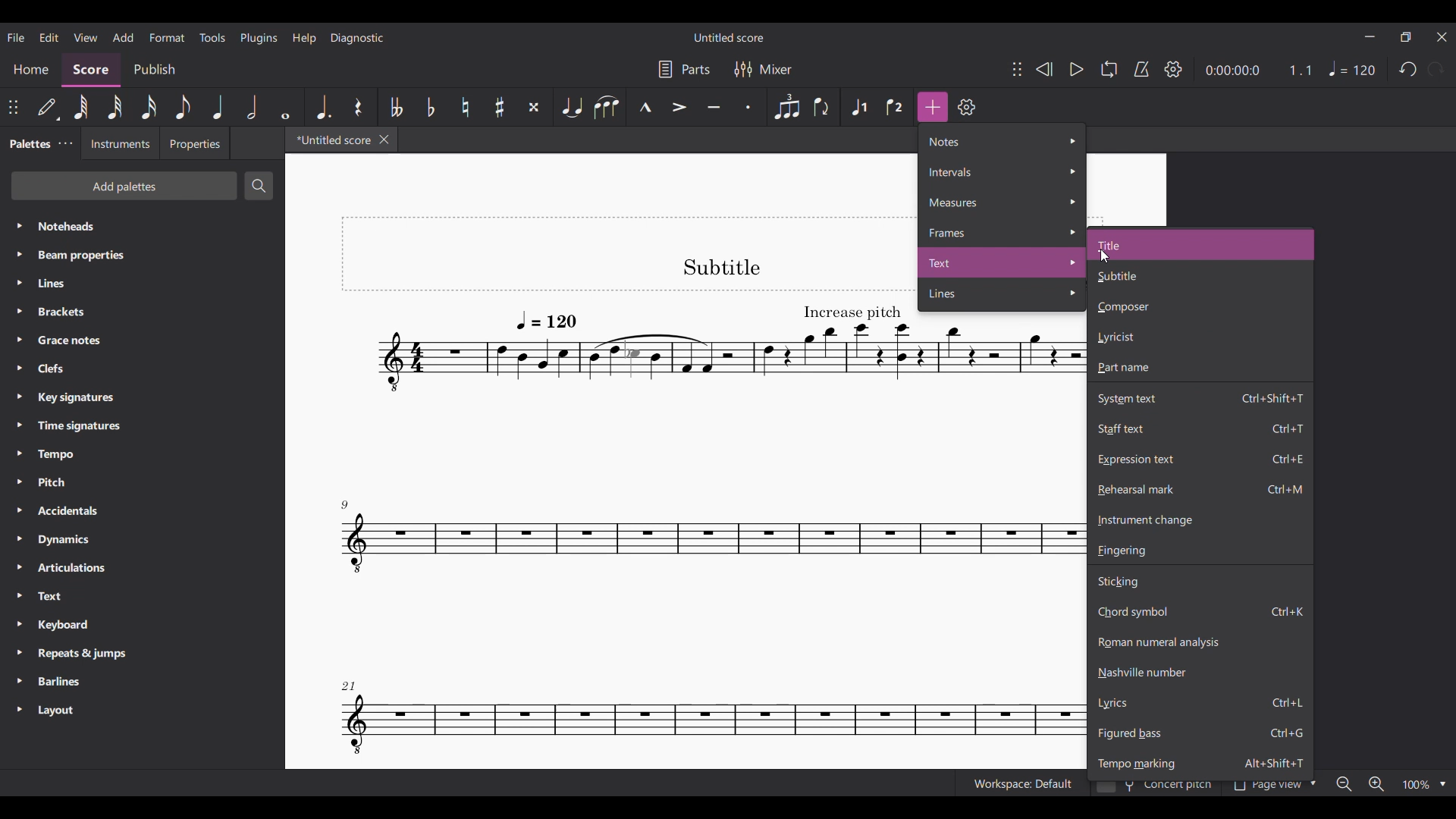  Describe the element at coordinates (714, 107) in the screenshot. I see `Tenuto` at that location.